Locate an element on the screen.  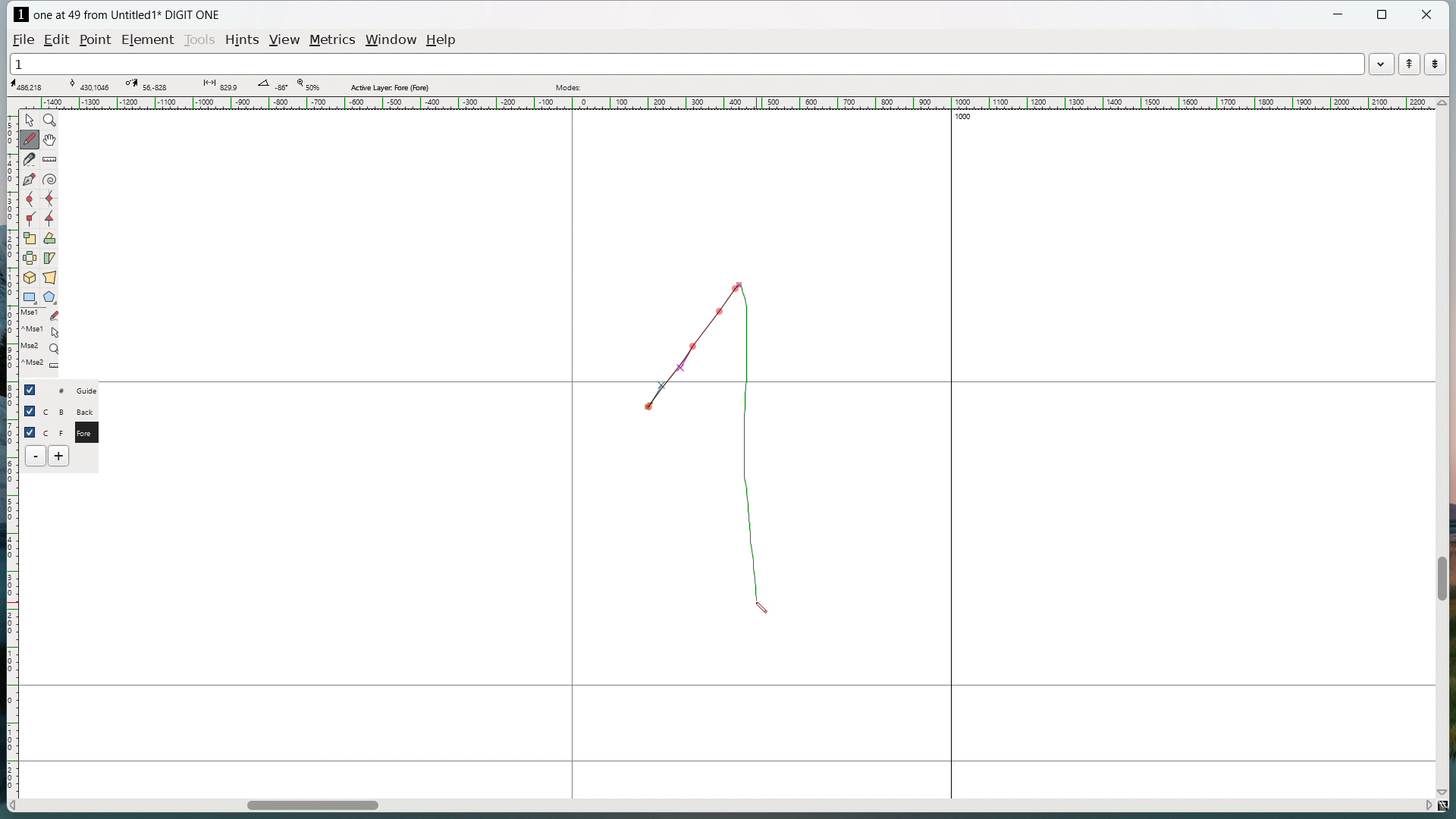
maximize is located at coordinates (1383, 15).